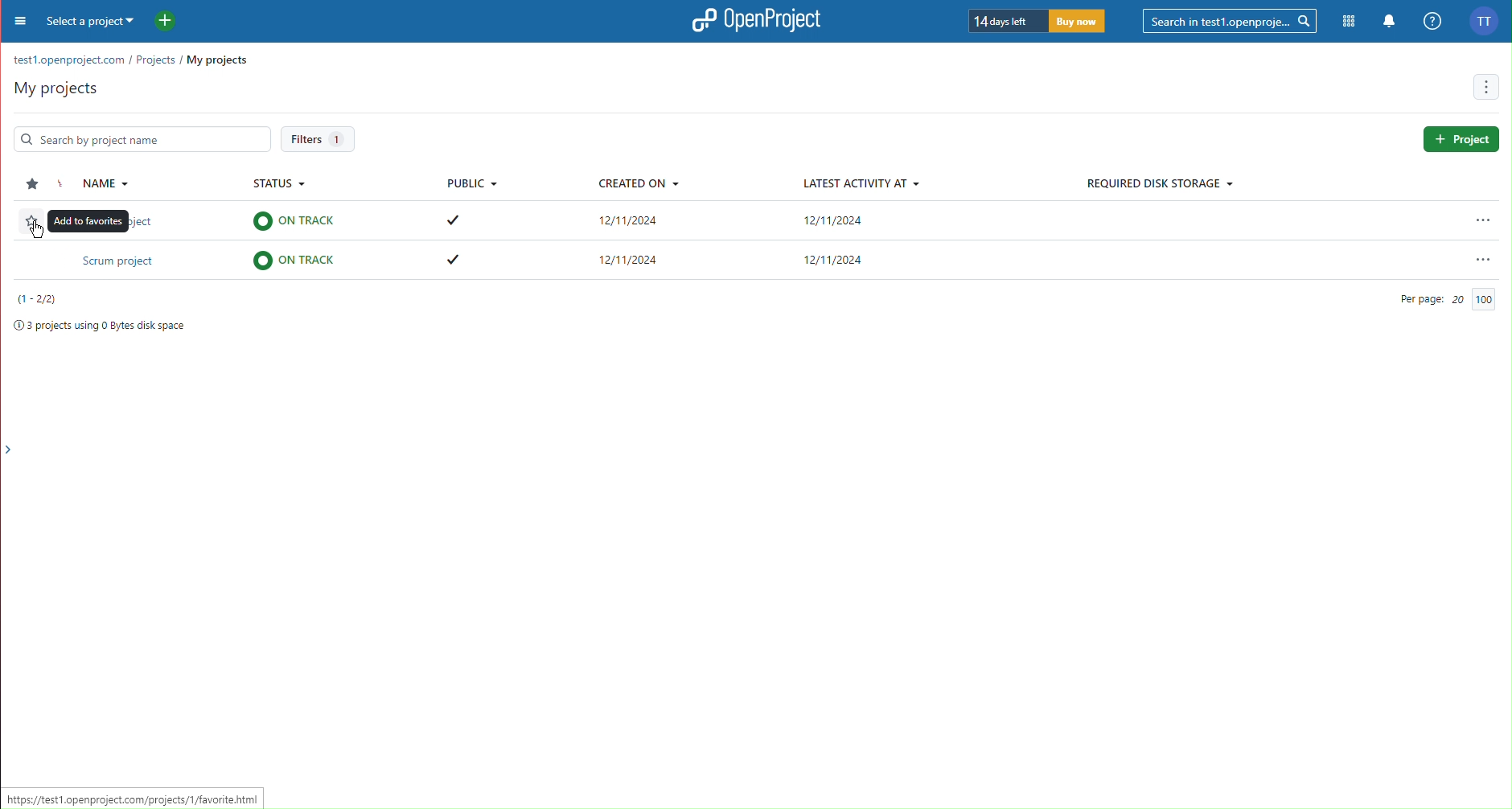  What do you see at coordinates (760, 223) in the screenshot?
I see `Demo Project` at bounding box center [760, 223].